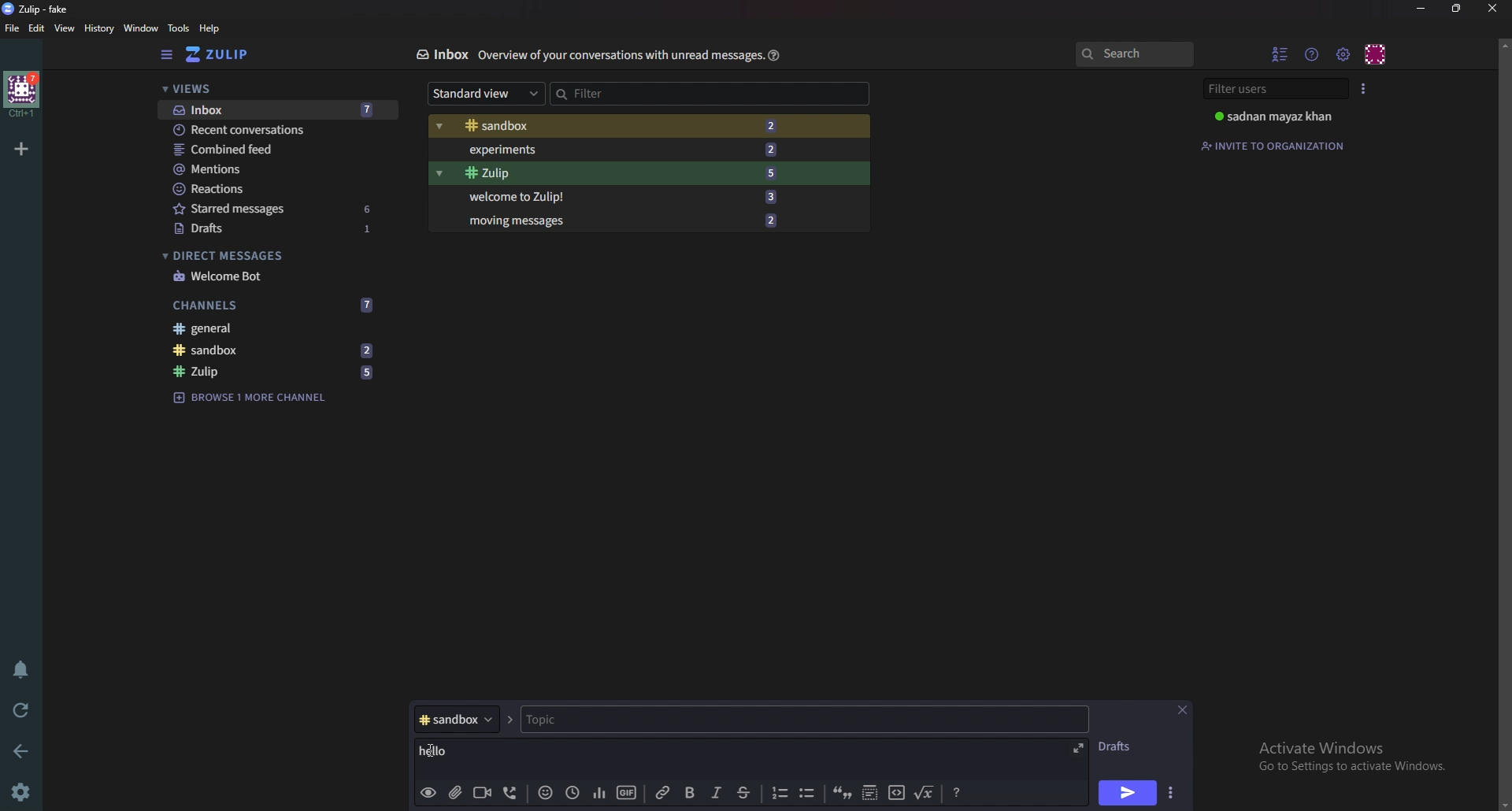 Image resolution: width=1512 pixels, height=811 pixels. What do you see at coordinates (842, 791) in the screenshot?
I see `quote` at bounding box center [842, 791].